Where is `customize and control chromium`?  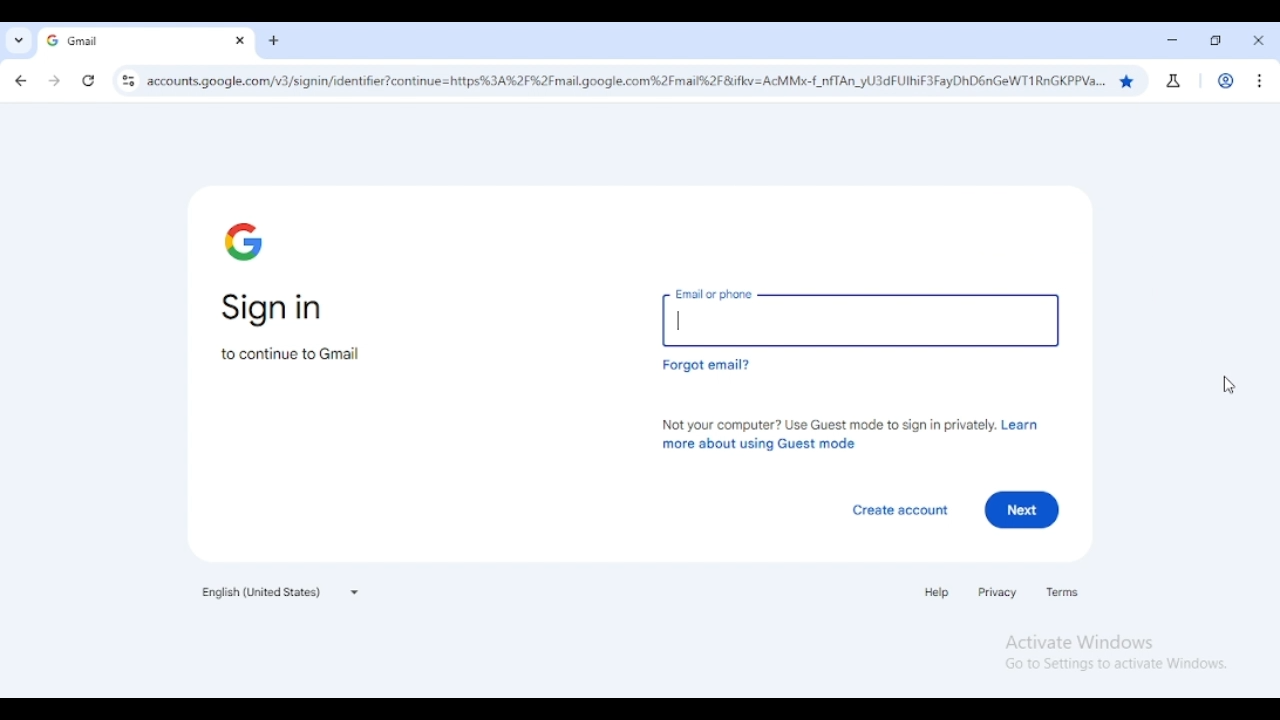
customize and control chromium is located at coordinates (1259, 80).